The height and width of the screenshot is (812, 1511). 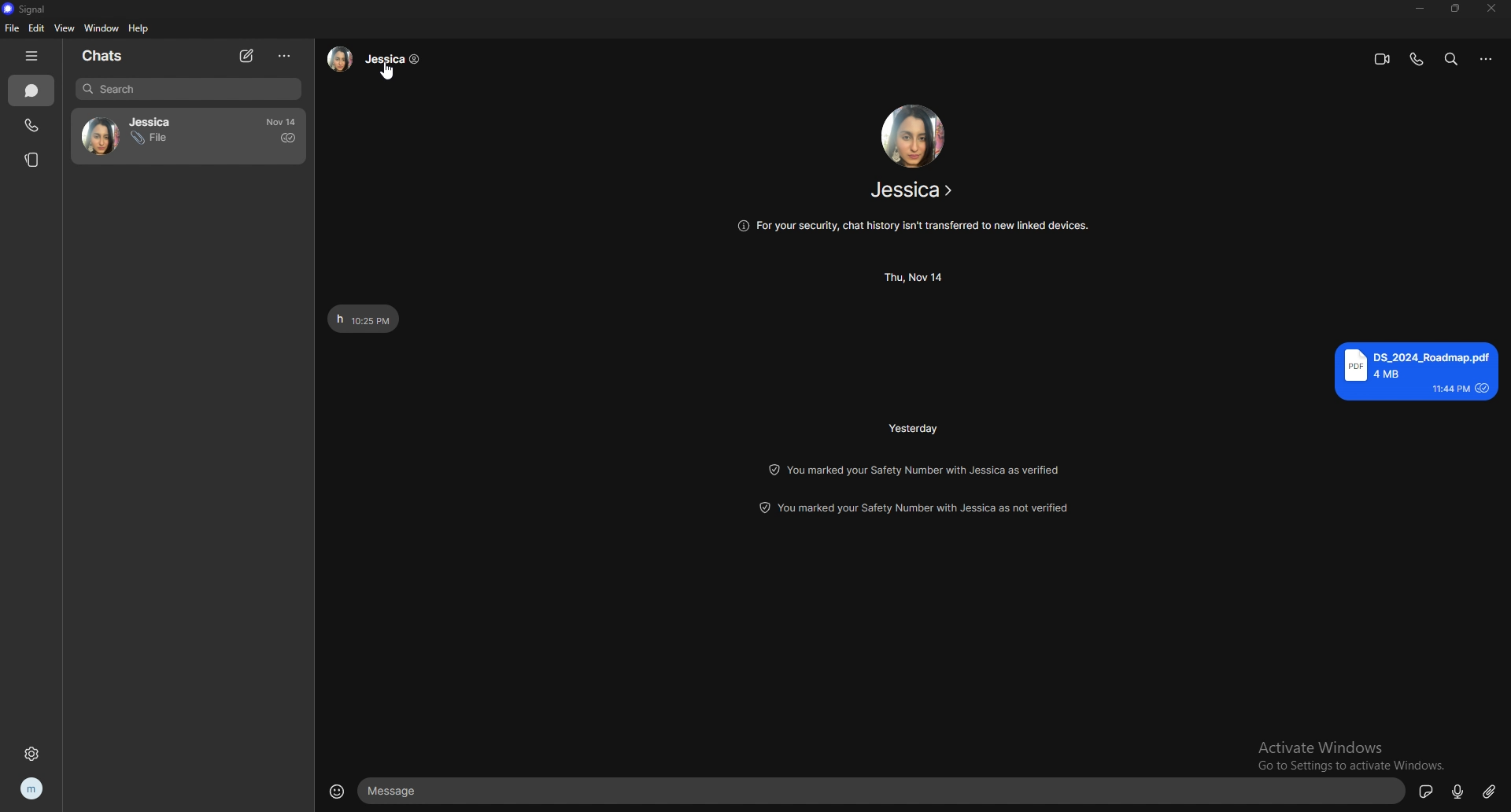 I want to click on file, so click(x=13, y=28).